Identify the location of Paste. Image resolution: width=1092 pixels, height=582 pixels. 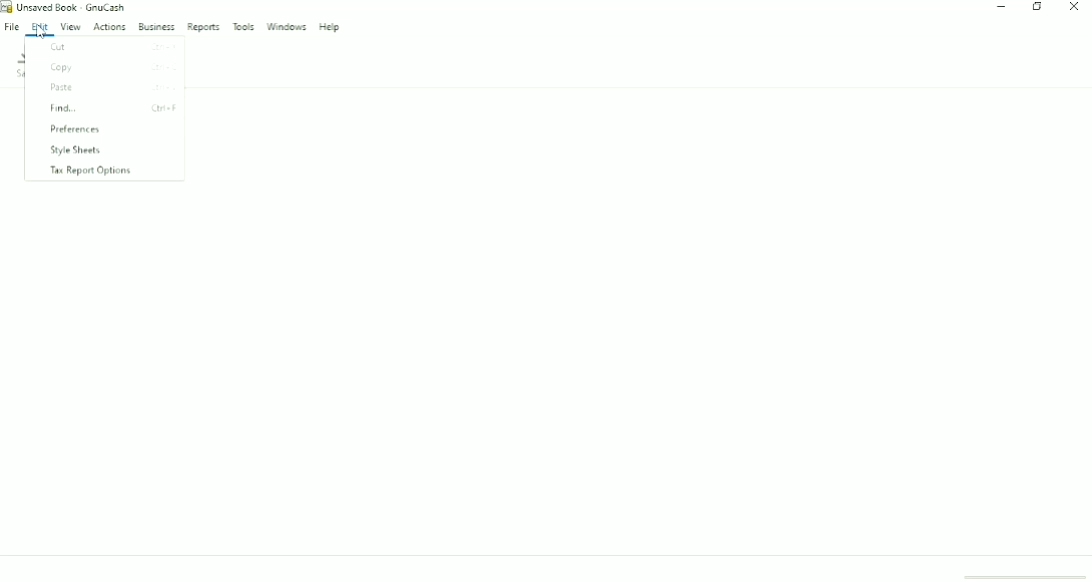
(112, 89).